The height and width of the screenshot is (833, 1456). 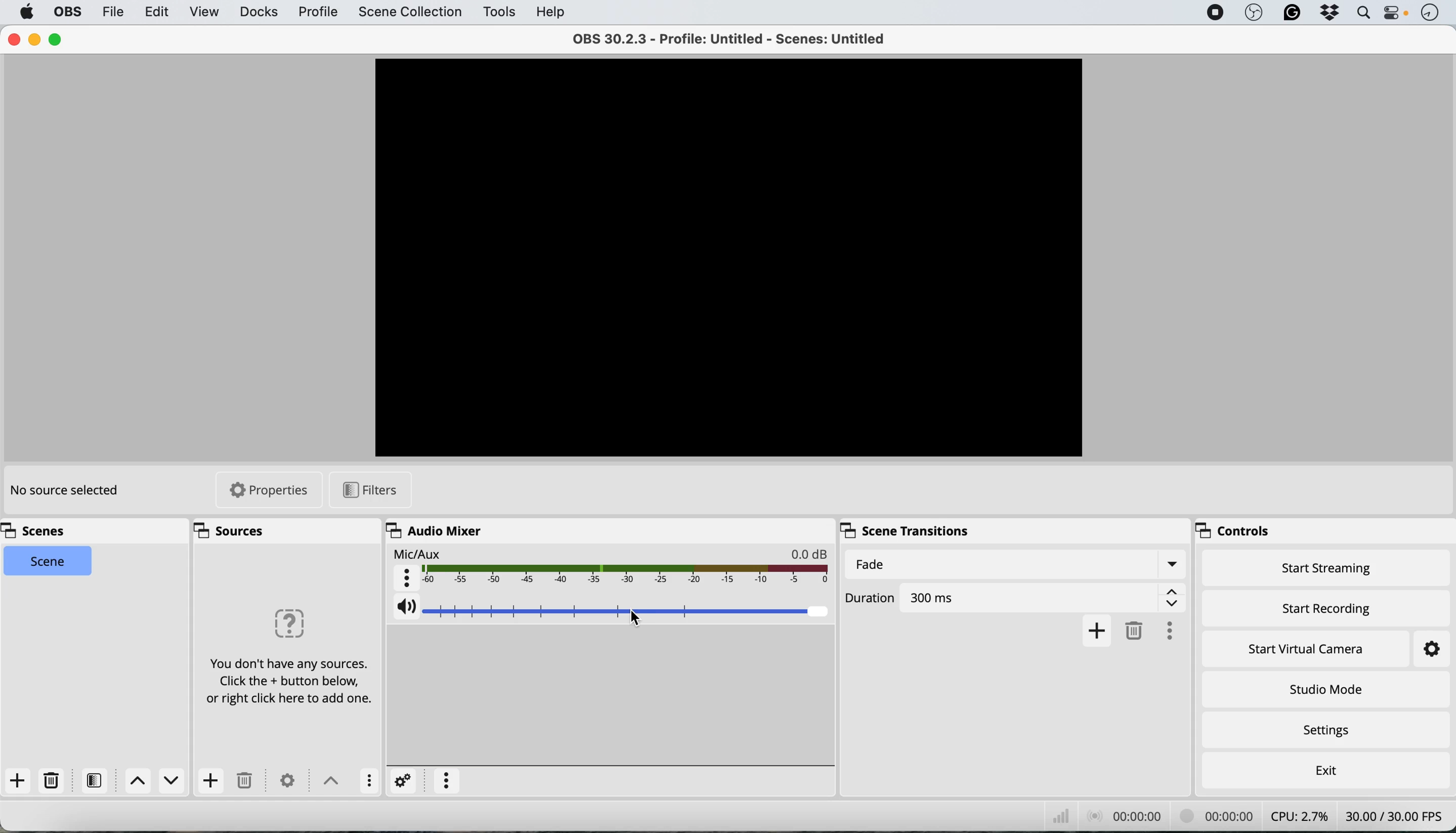 I want to click on file, so click(x=116, y=13).